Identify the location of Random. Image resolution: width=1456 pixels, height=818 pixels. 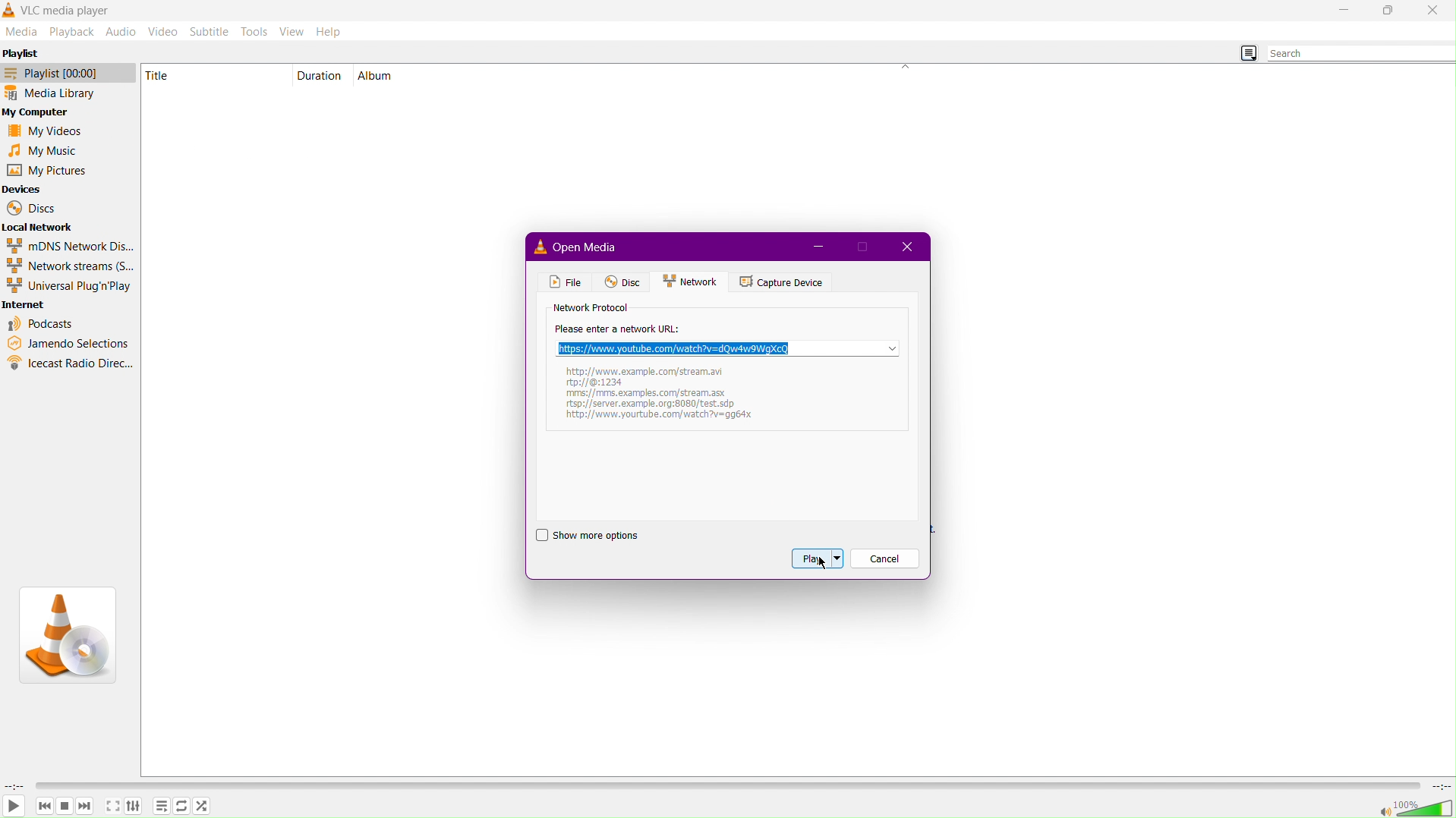
(206, 807).